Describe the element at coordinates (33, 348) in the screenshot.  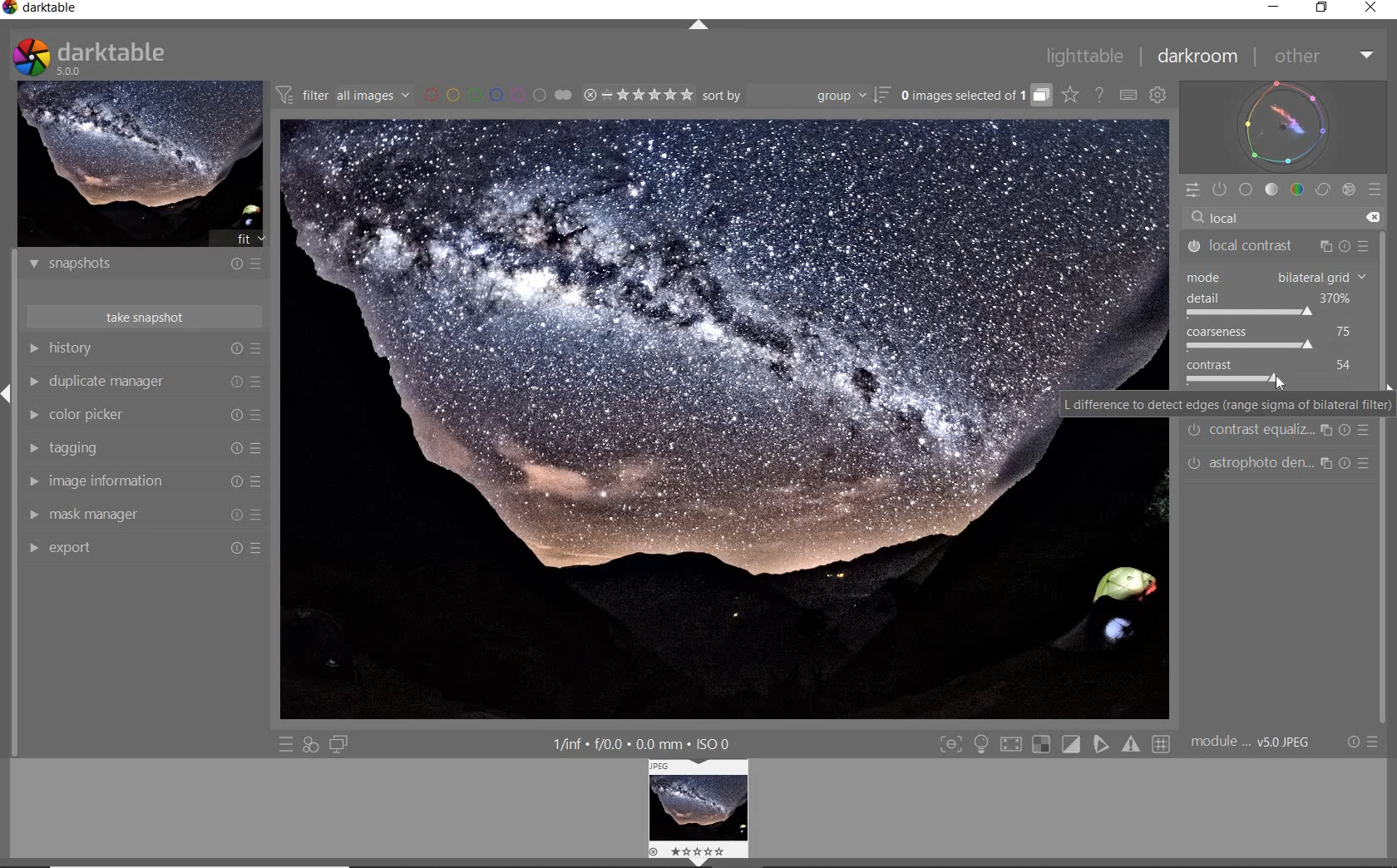
I see `HISTORY` at that location.